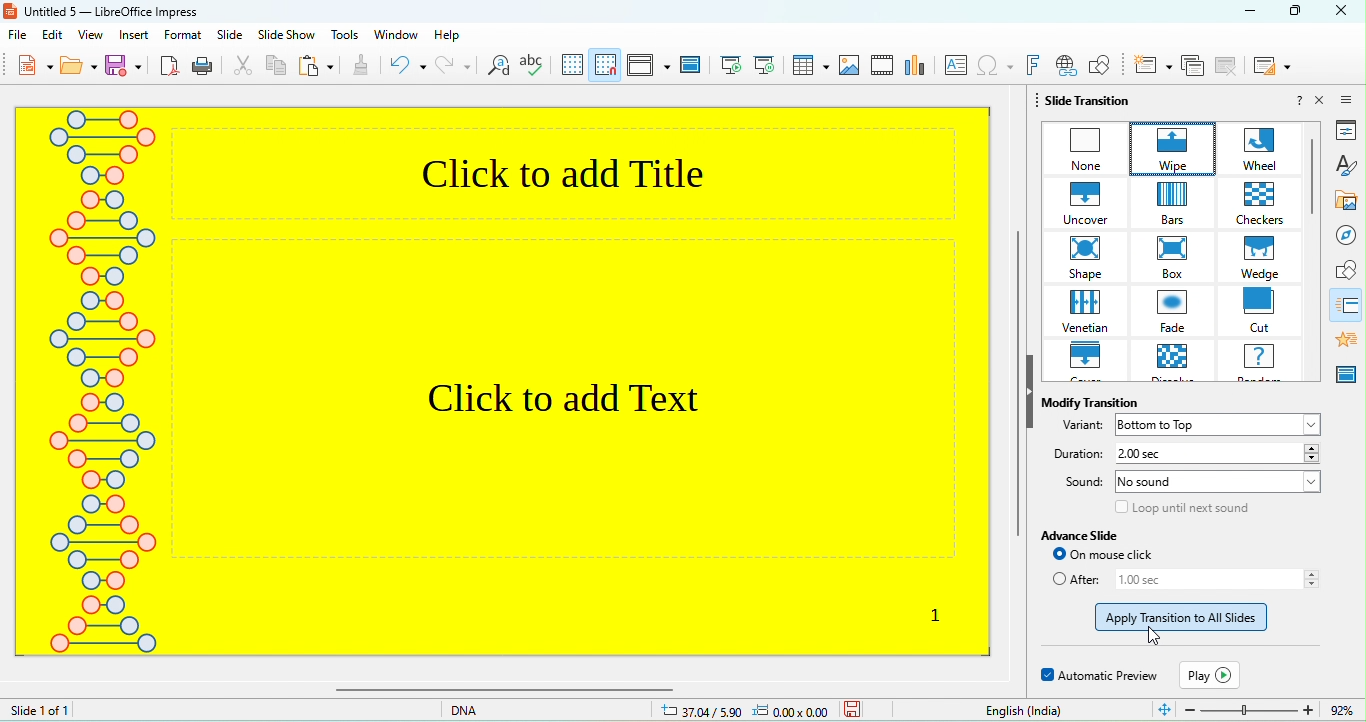 The image size is (1366, 722). What do you see at coordinates (408, 66) in the screenshot?
I see `undo` at bounding box center [408, 66].